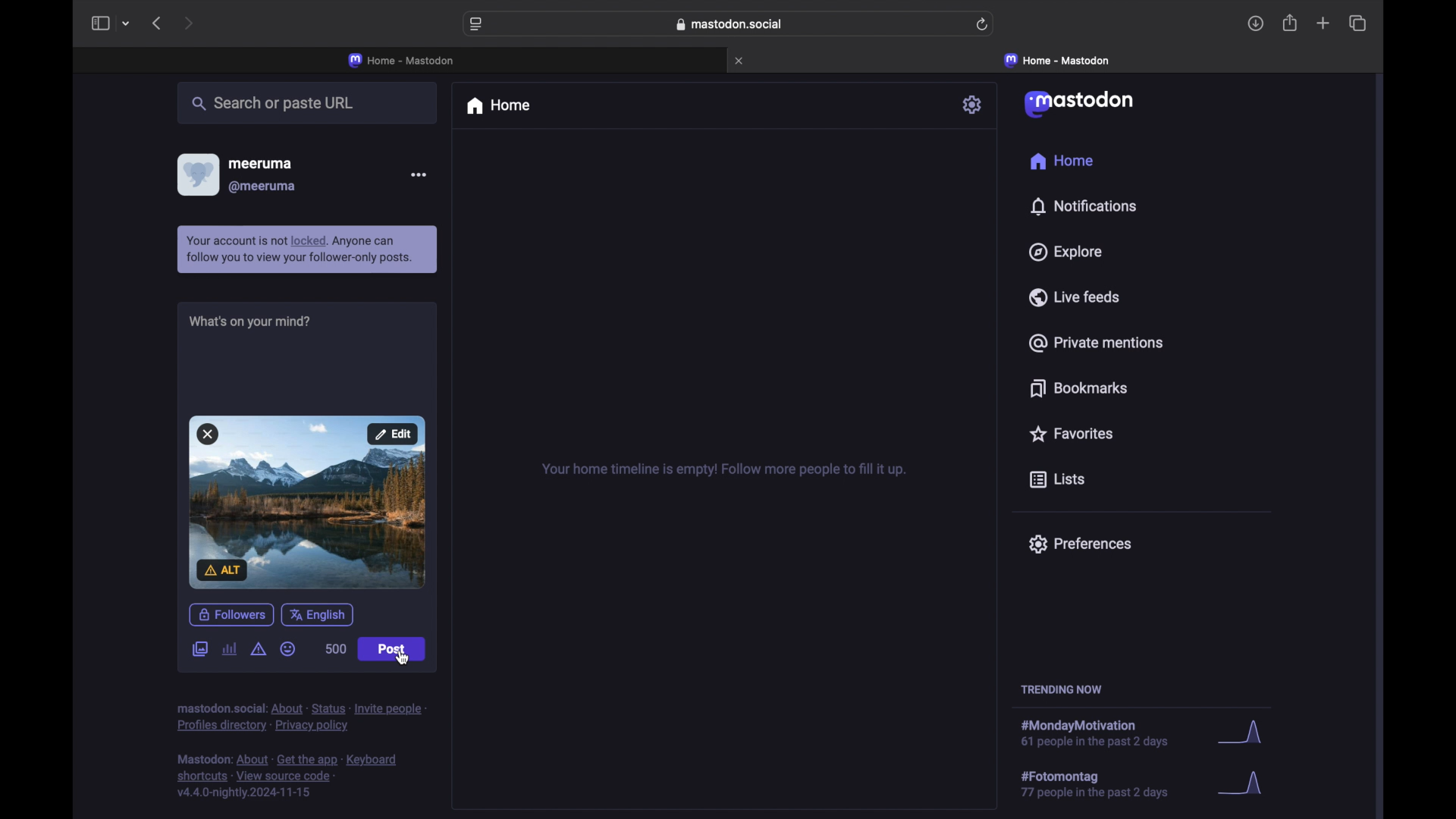 The width and height of the screenshot is (1456, 819). I want to click on hashtag trend, so click(1106, 730).